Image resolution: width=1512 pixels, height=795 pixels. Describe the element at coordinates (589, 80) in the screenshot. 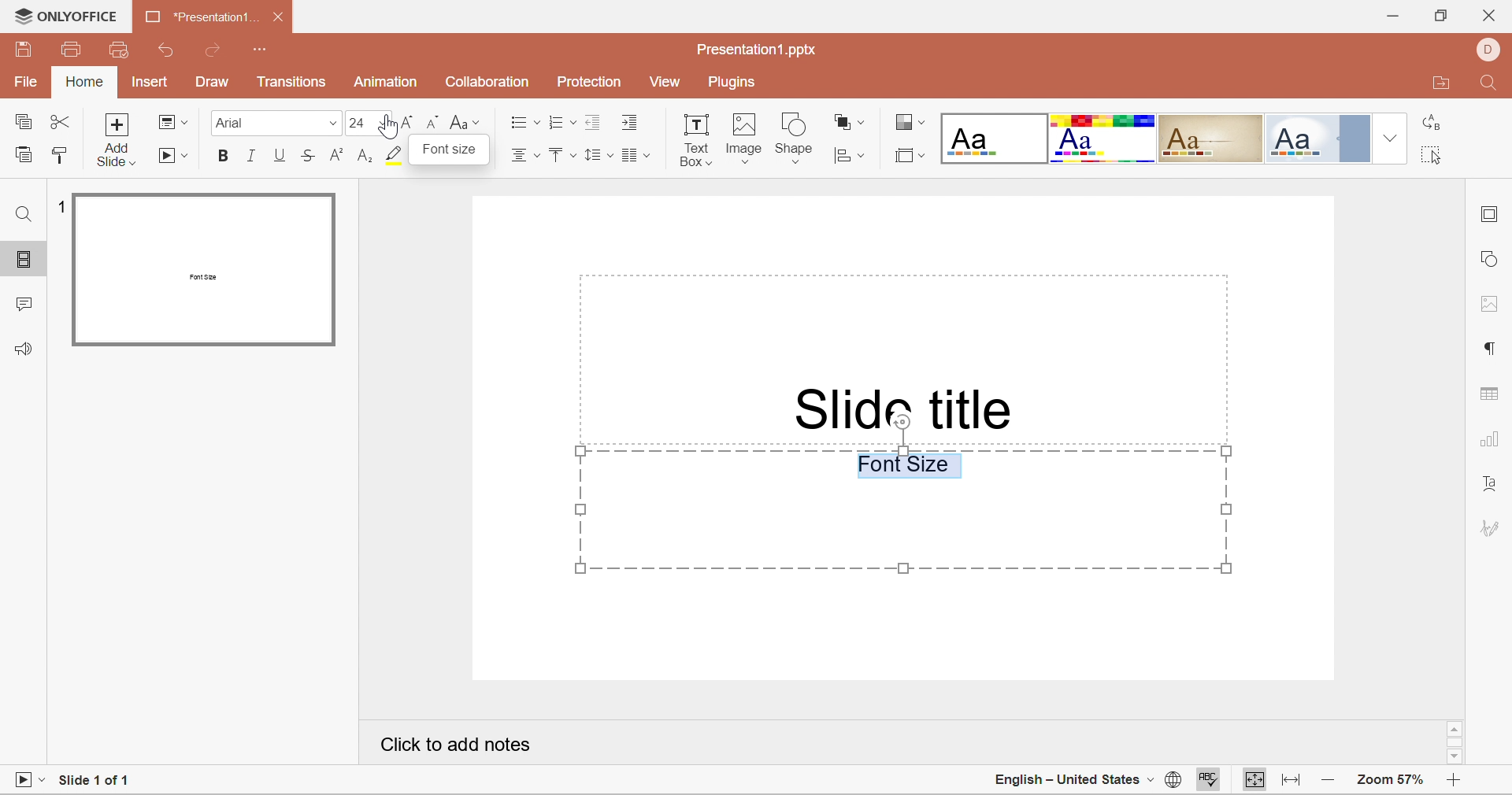

I see `Protection` at that location.